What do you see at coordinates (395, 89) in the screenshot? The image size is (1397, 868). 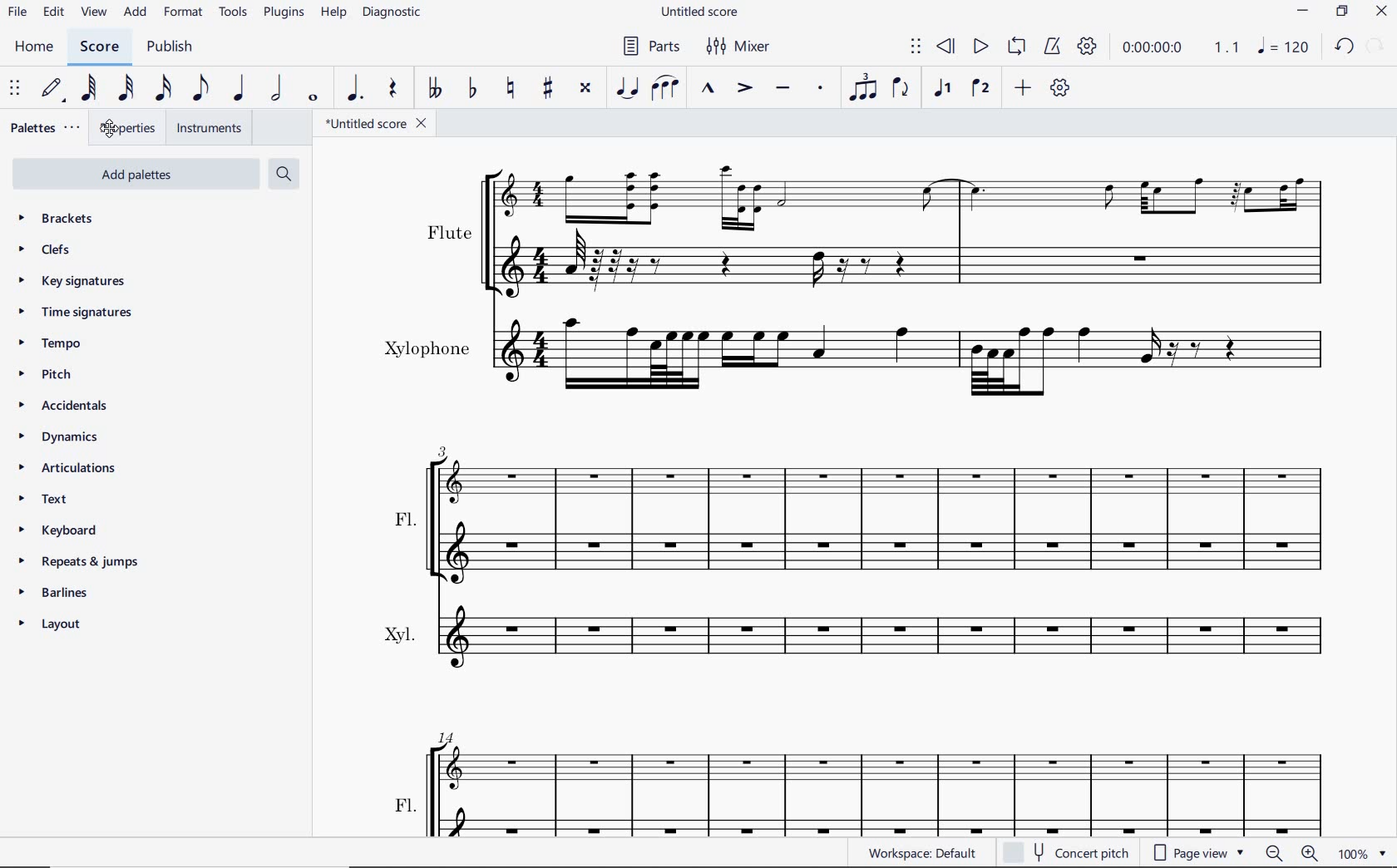 I see `REST` at bounding box center [395, 89].